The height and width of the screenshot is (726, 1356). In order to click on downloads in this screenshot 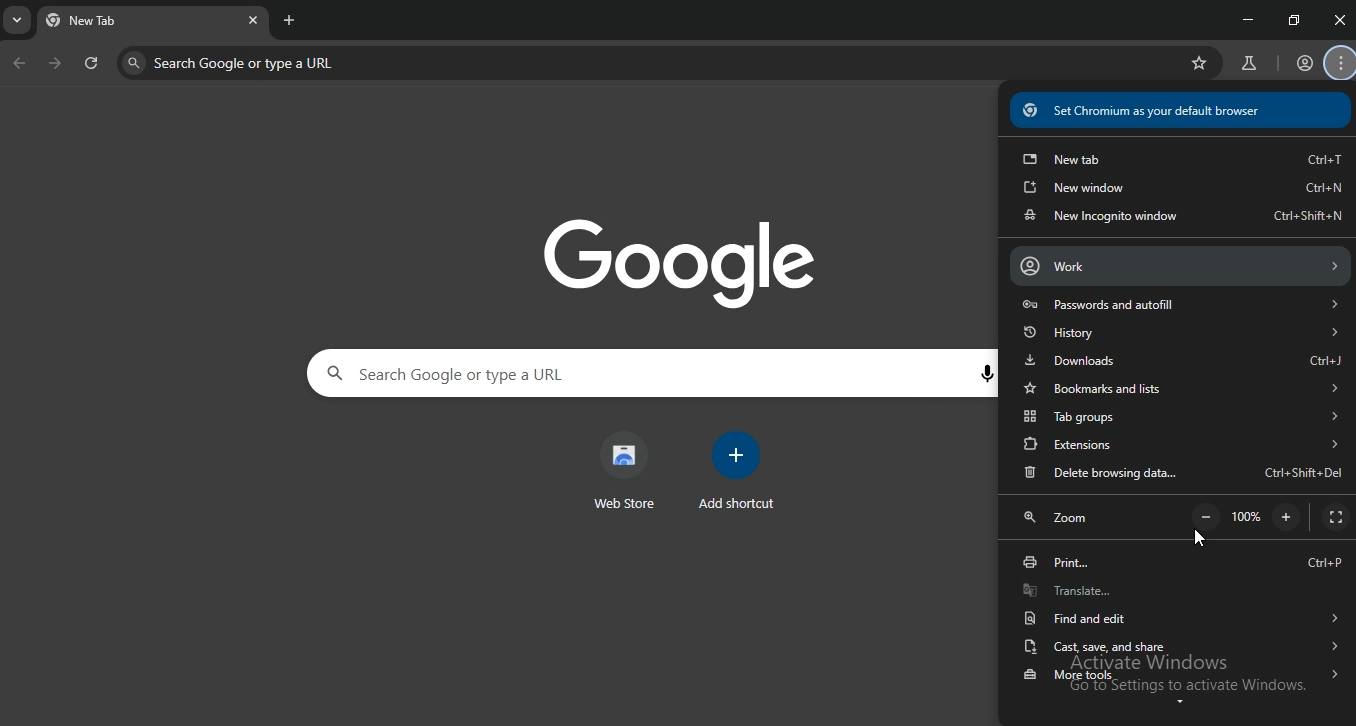, I will do `click(1185, 362)`.